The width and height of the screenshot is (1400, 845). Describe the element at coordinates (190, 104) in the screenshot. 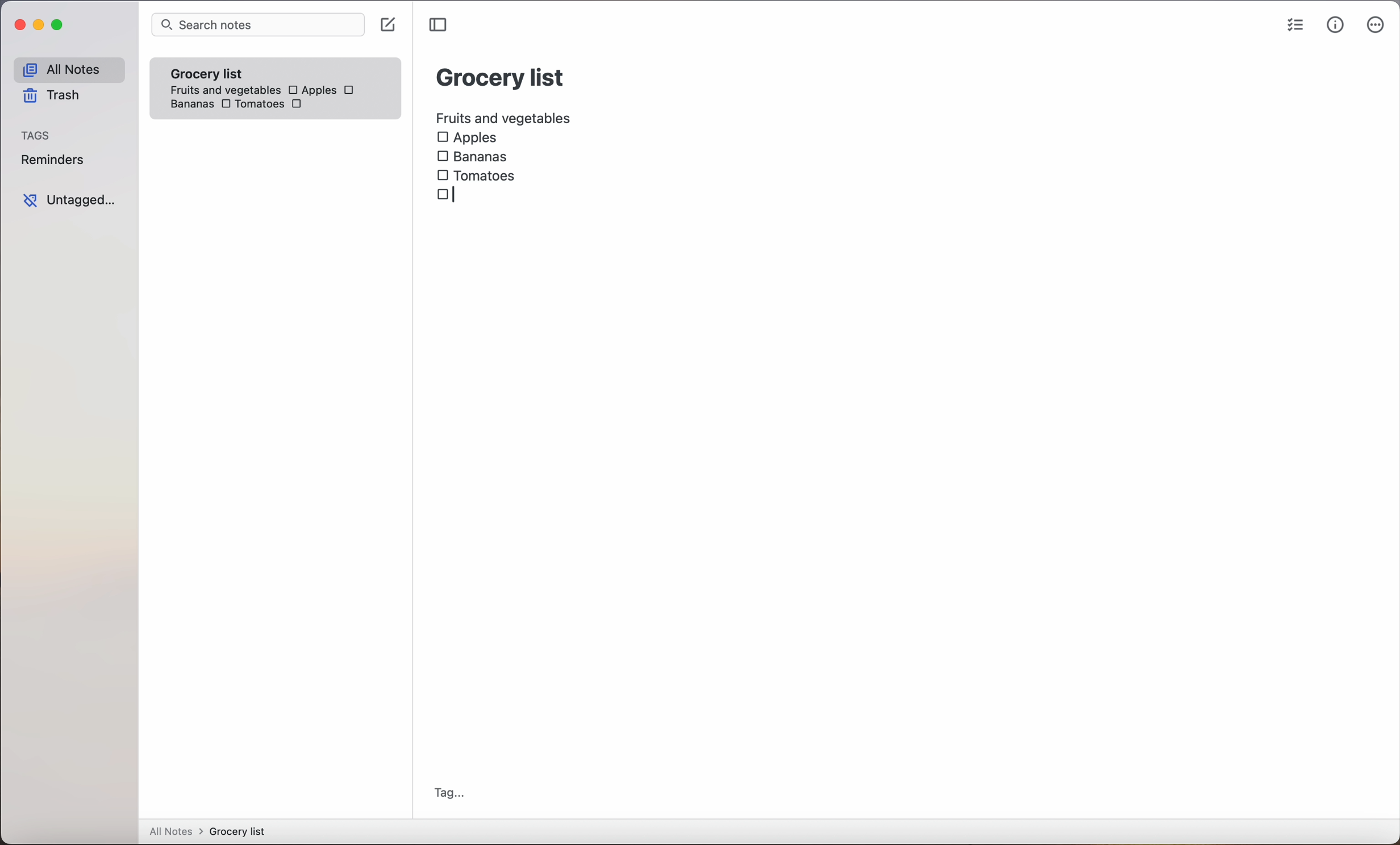

I see `bananas` at that location.